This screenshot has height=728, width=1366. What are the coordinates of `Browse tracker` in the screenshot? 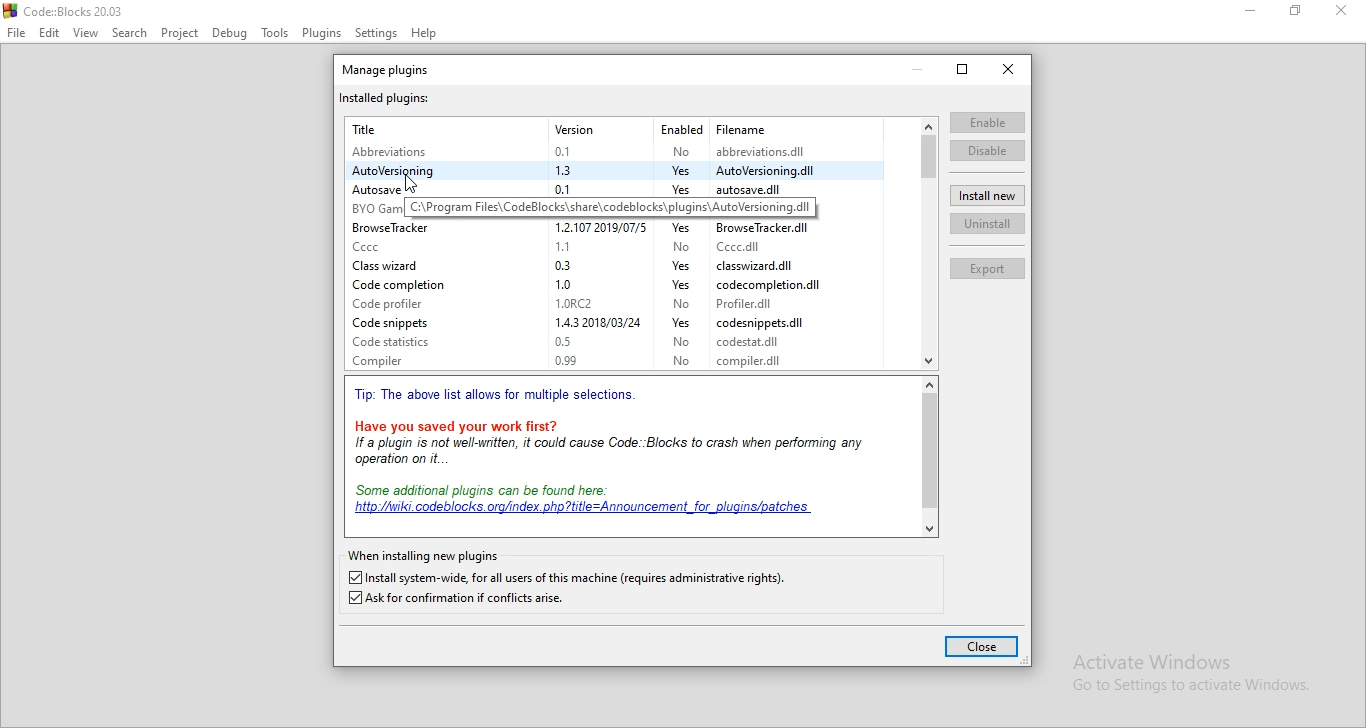 It's located at (396, 228).